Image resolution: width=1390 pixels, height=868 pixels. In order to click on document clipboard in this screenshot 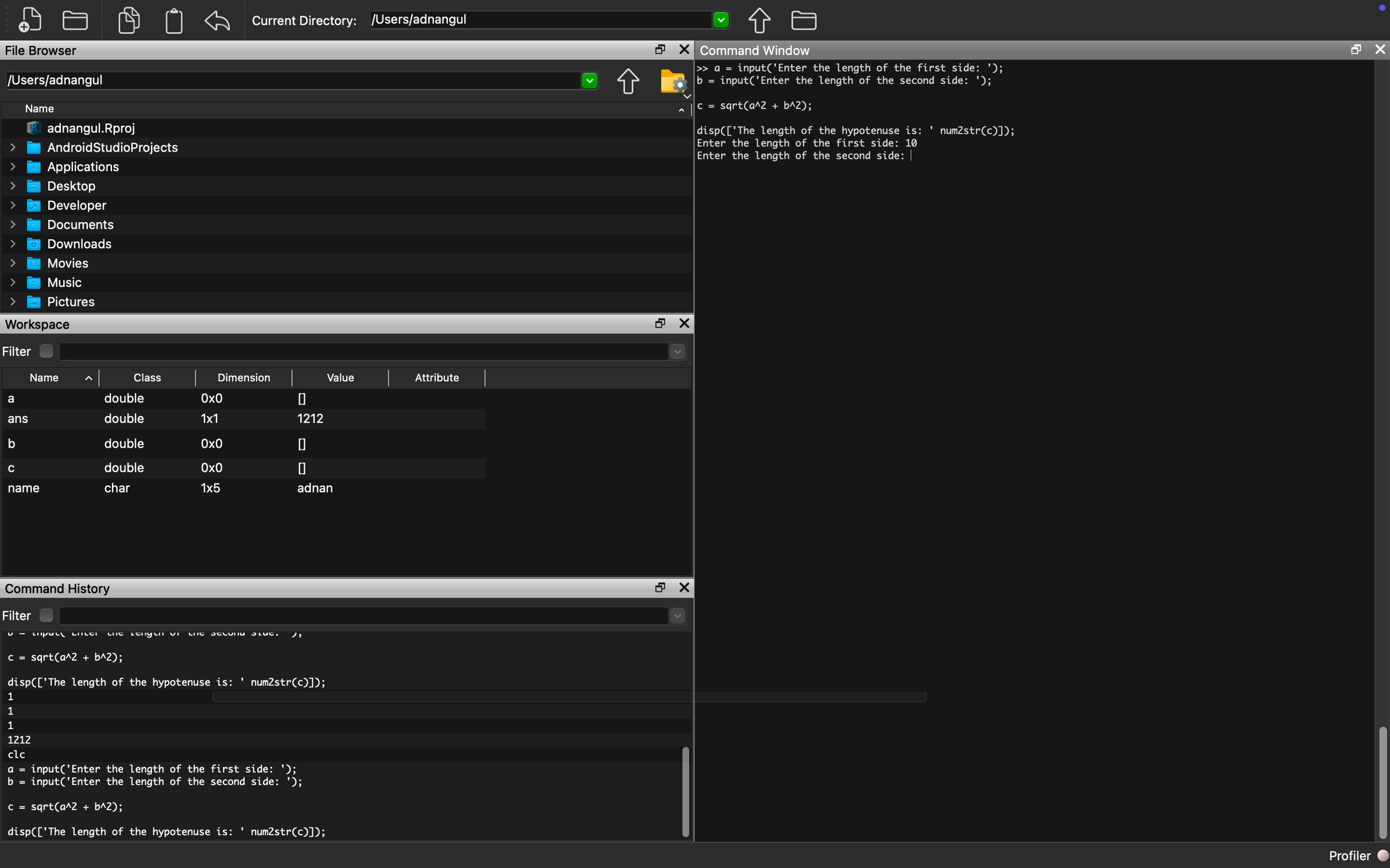, I will do `click(172, 22)`.